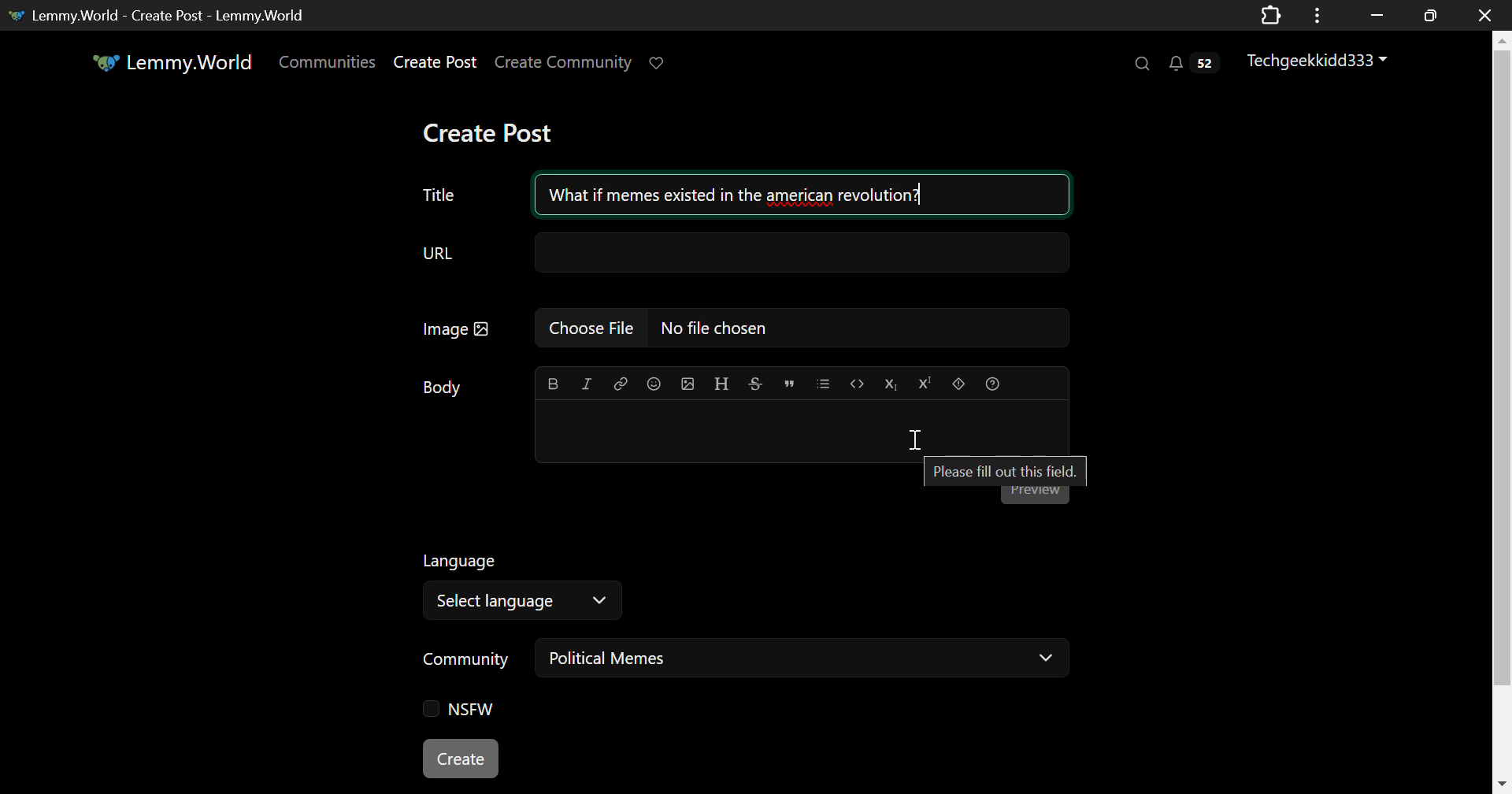 Image resolution: width=1512 pixels, height=794 pixels. What do you see at coordinates (1317, 14) in the screenshot?
I see `Application Options` at bounding box center [1317, 14].